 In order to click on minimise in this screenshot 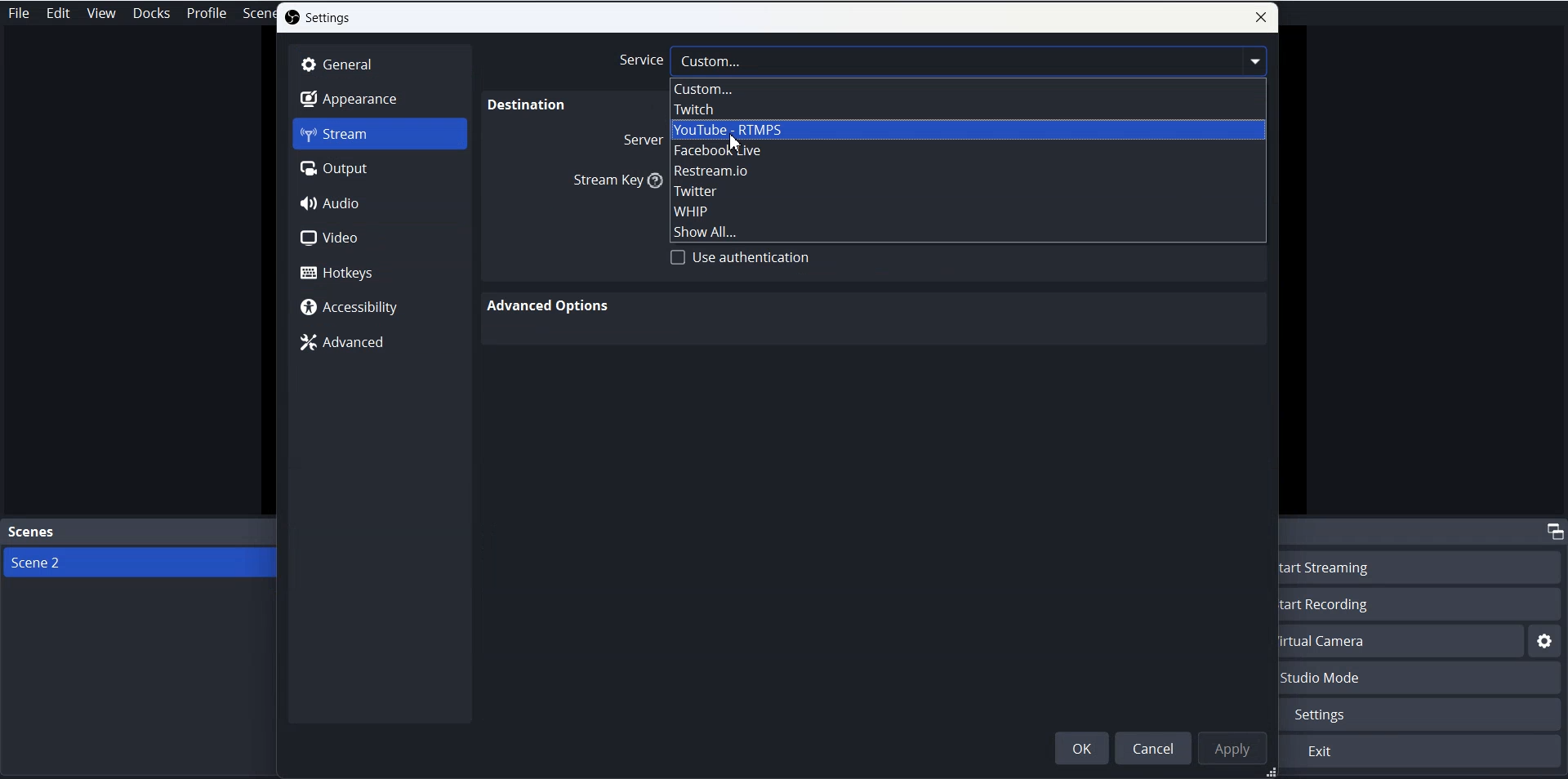, I will do `click(1552, 530)`.